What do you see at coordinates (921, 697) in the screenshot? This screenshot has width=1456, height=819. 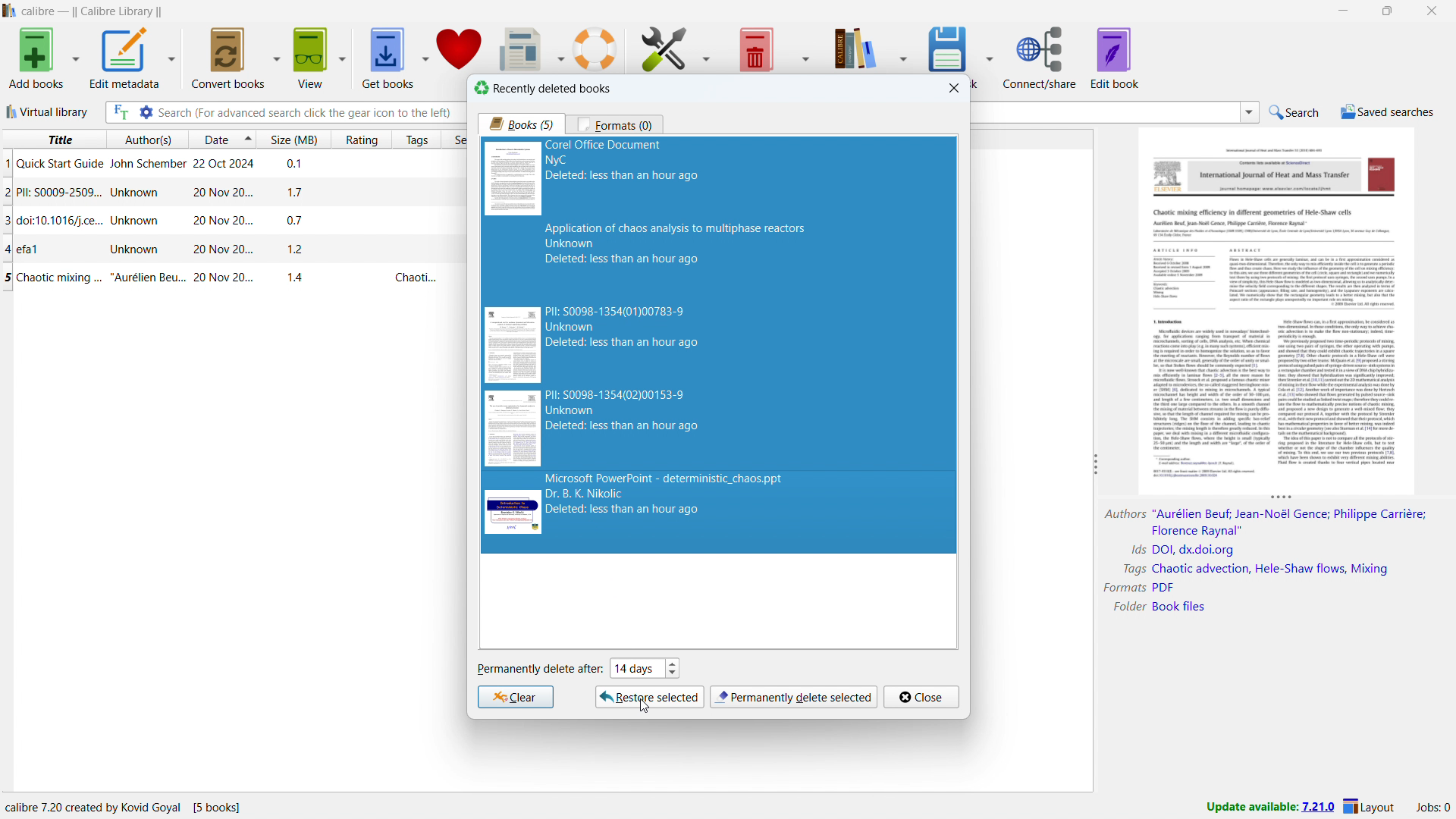 I see `close` at bounding box center [921, 697].